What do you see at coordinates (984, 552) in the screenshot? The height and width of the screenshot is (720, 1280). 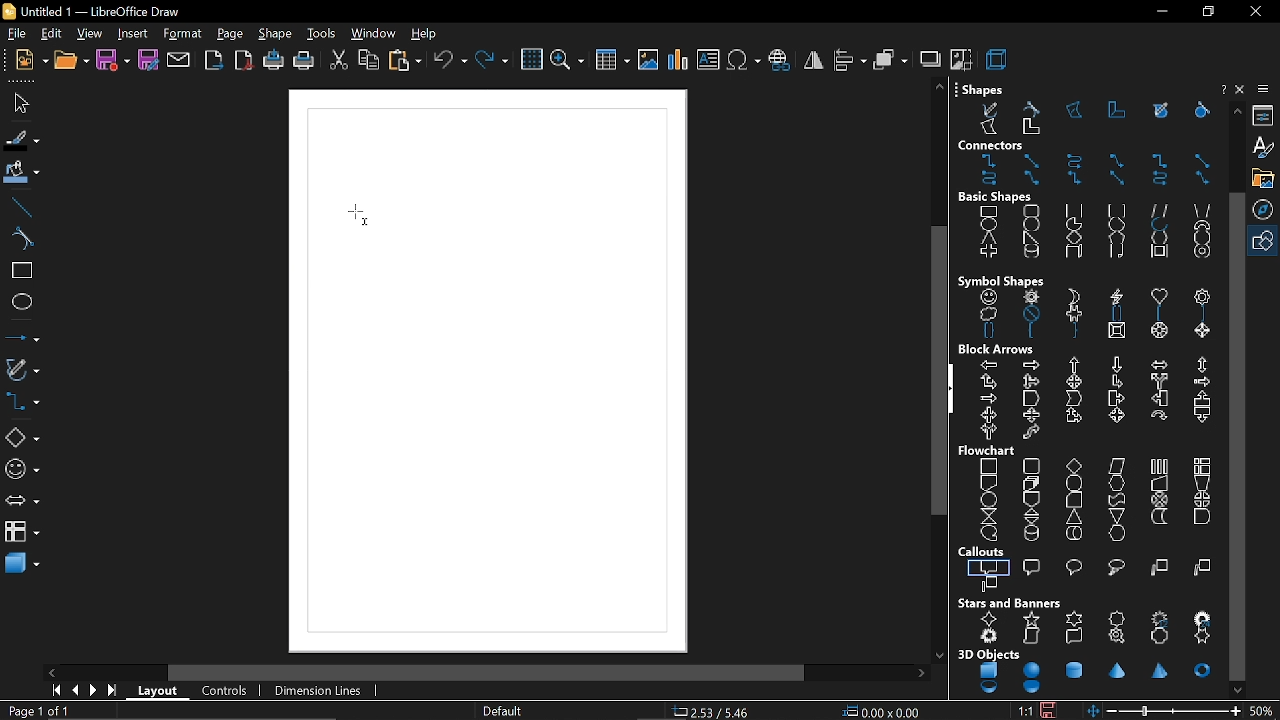 I see `callouts` at bounding box center [984, 552].